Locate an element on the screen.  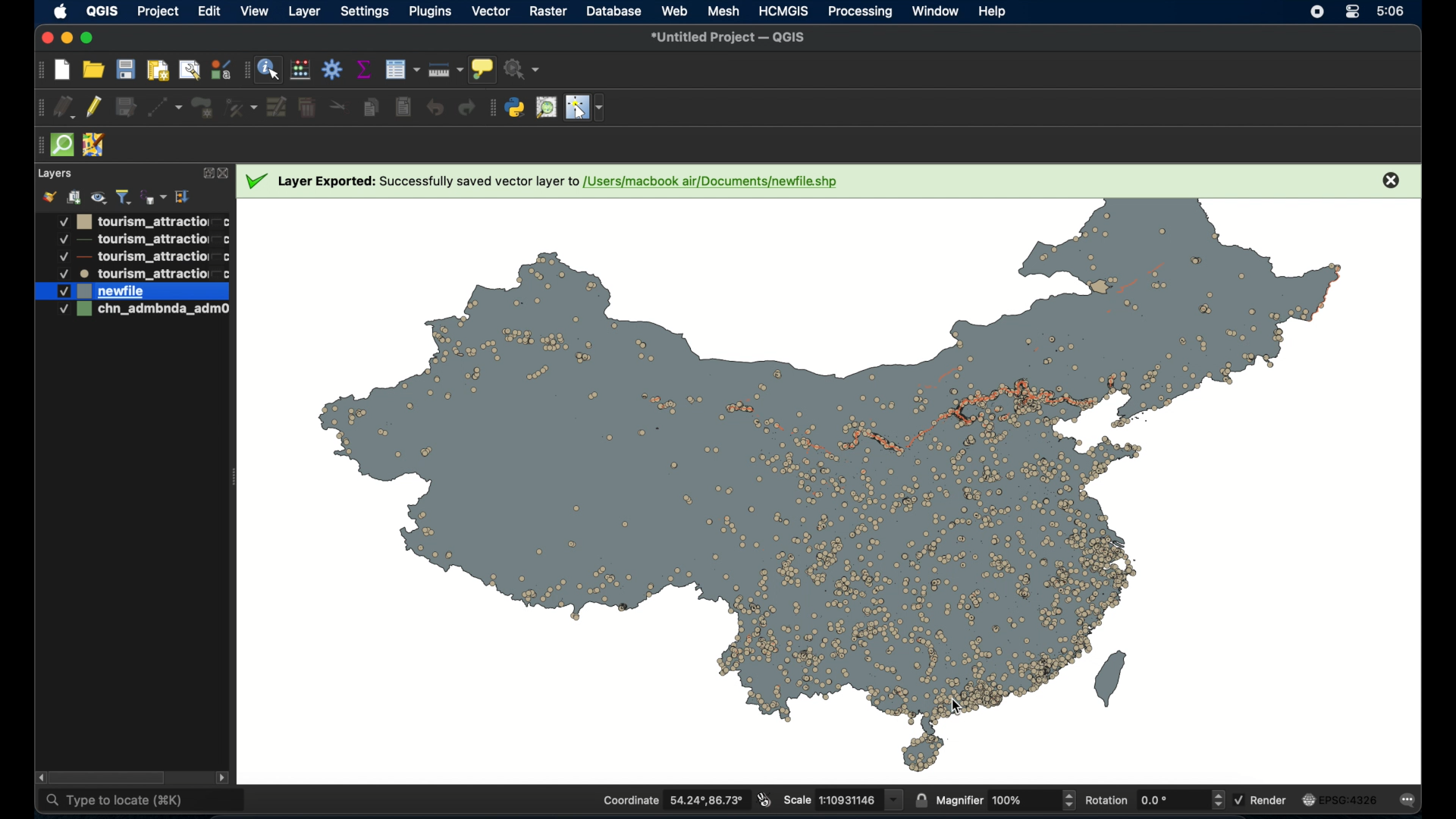
save project is located at coordinates (125, 69).